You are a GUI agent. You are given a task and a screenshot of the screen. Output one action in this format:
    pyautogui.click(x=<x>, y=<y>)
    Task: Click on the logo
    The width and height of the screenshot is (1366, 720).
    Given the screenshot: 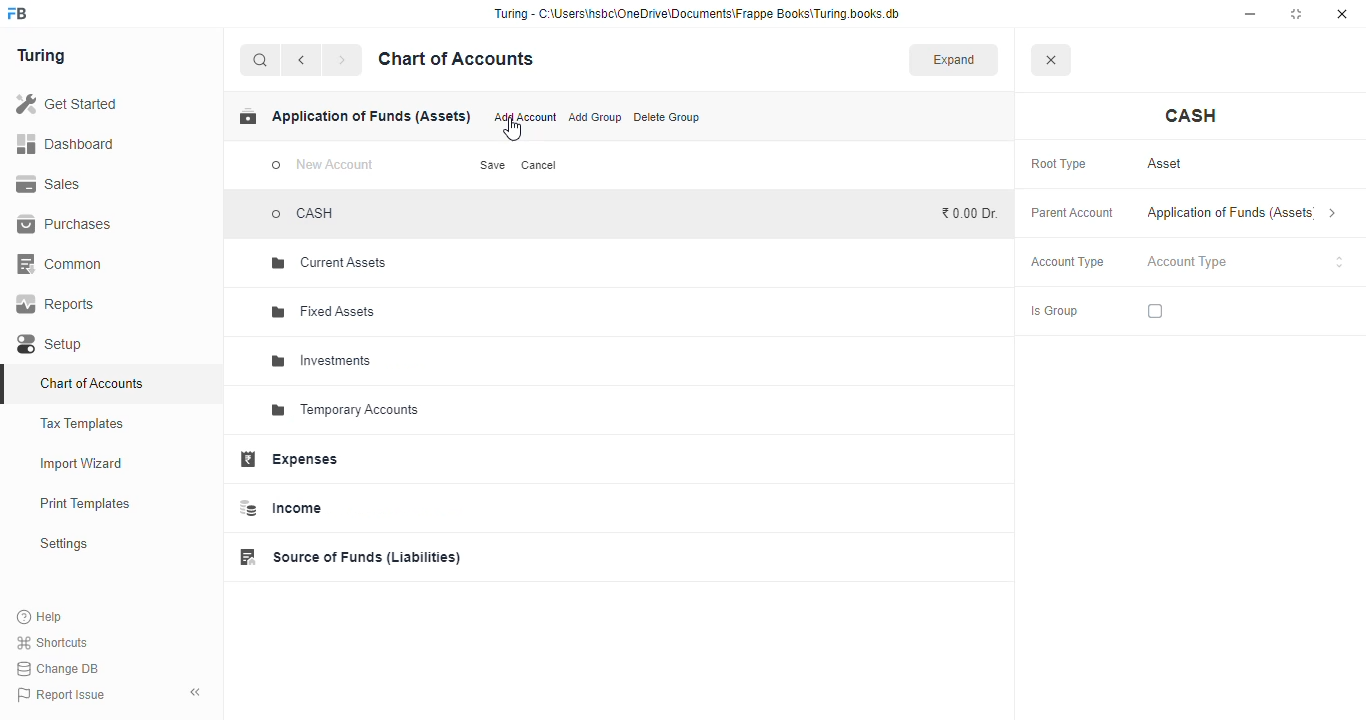 What is the action you would take?
    pyautogui.click(x=18, y=13)
    